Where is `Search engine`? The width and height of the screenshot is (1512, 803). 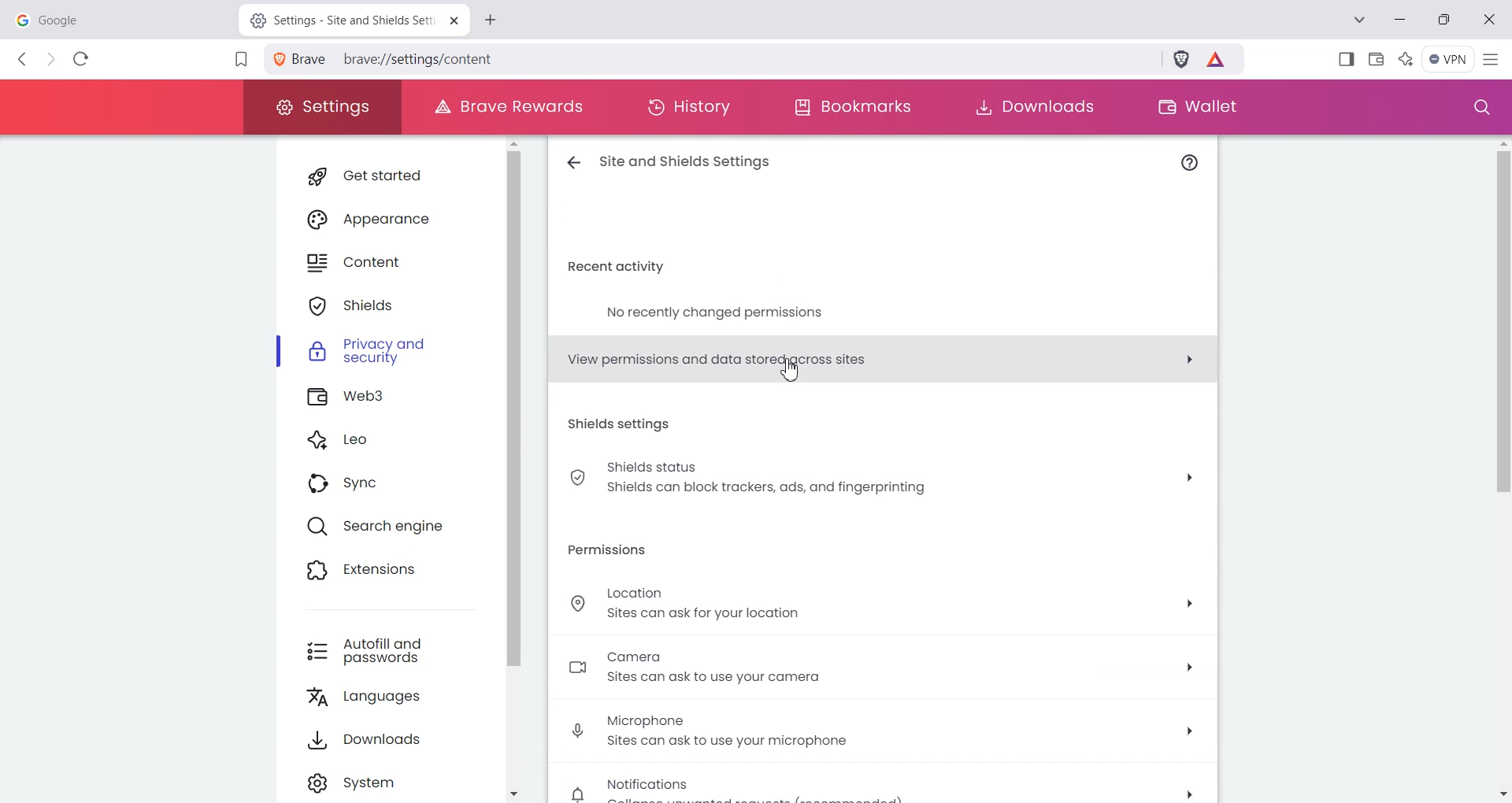
Search engine is located at coordinates (388, 528).